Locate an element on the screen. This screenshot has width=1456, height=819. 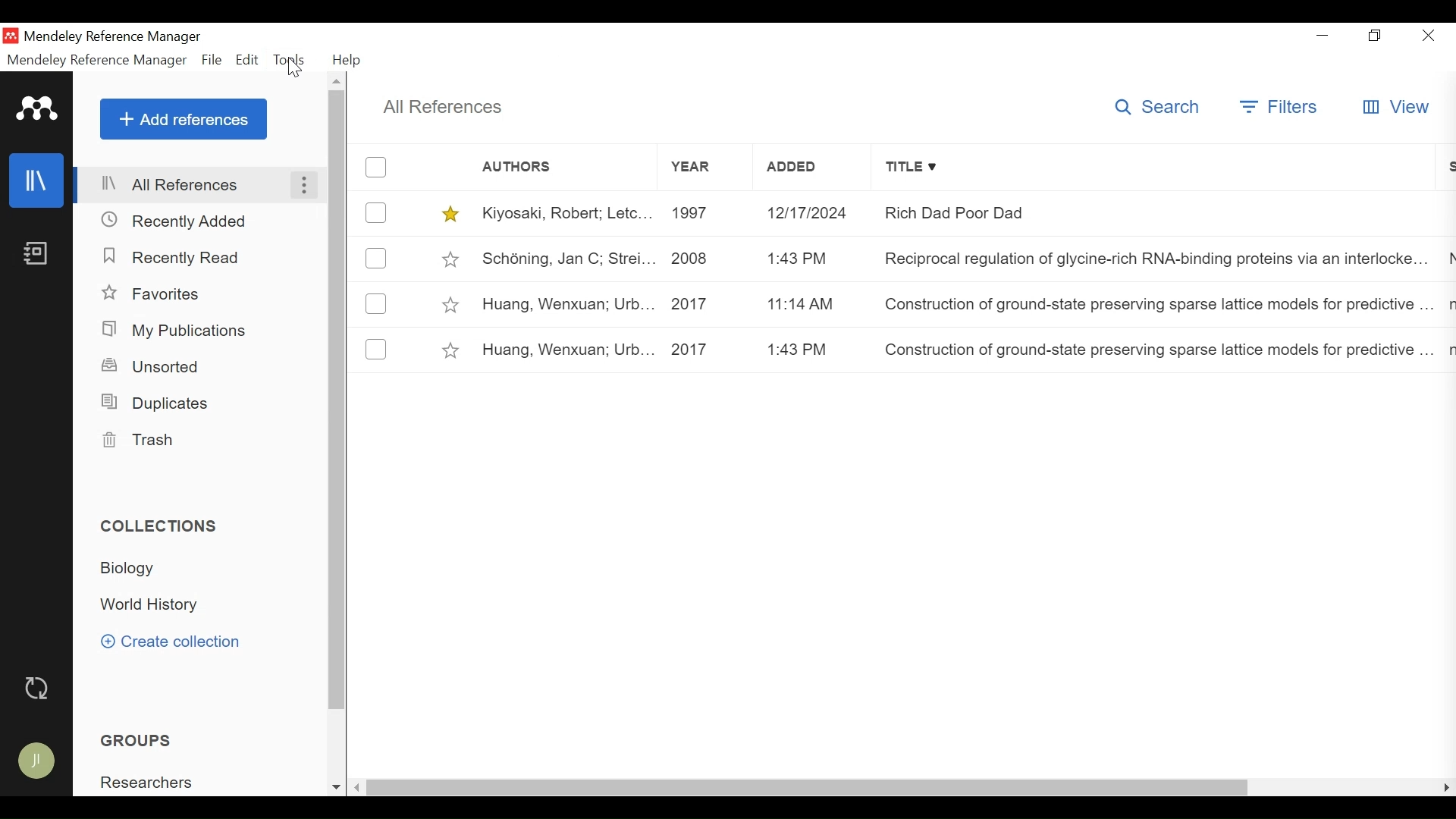
Group is located at coordinates (147, 781).